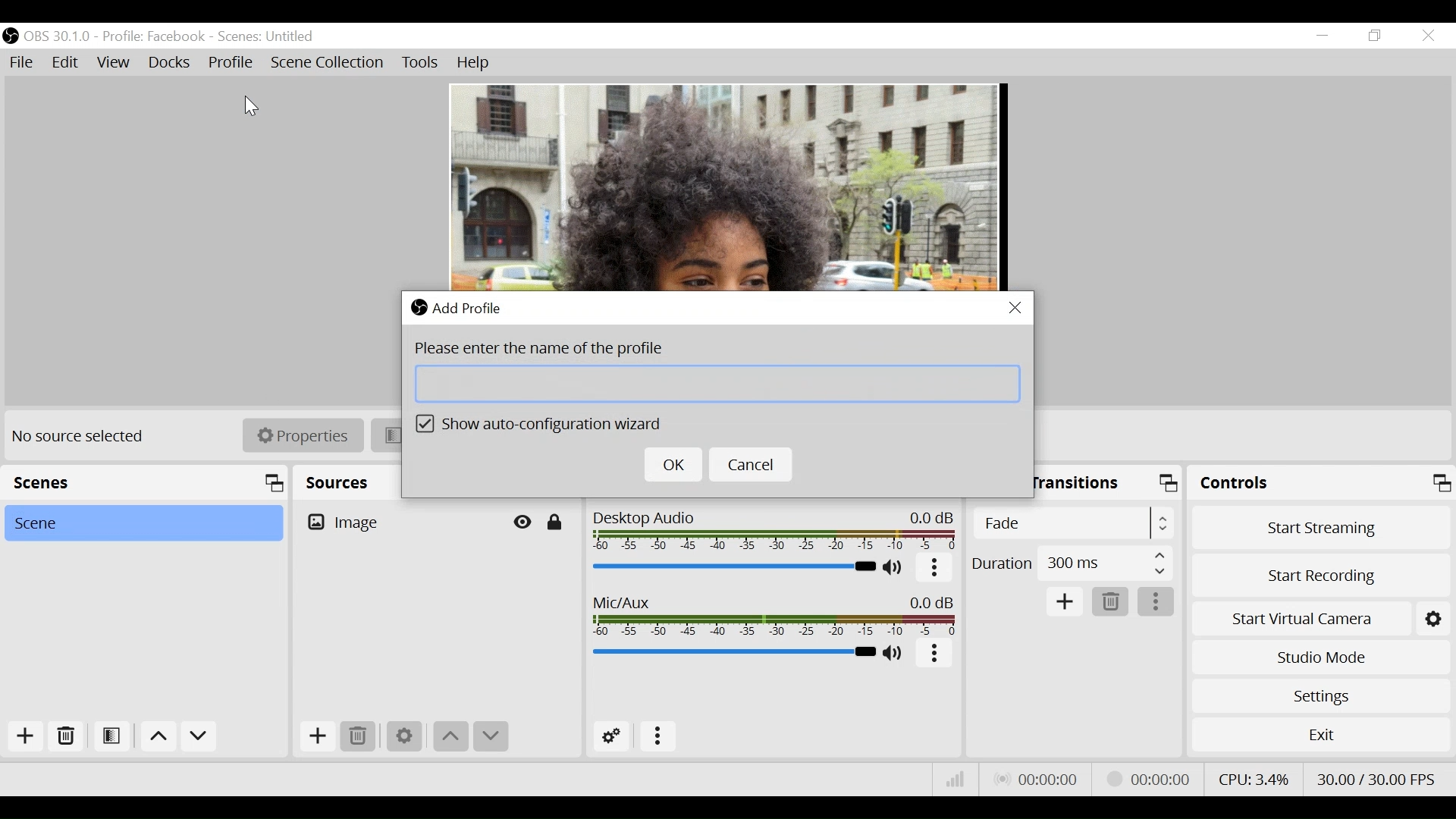 Image resolution: width=1456 pixels, height=819 pixels. What do you see at coordinates (895, 569) in the screenshot?
I see `(un)mute` at bounding box center [895, 569].